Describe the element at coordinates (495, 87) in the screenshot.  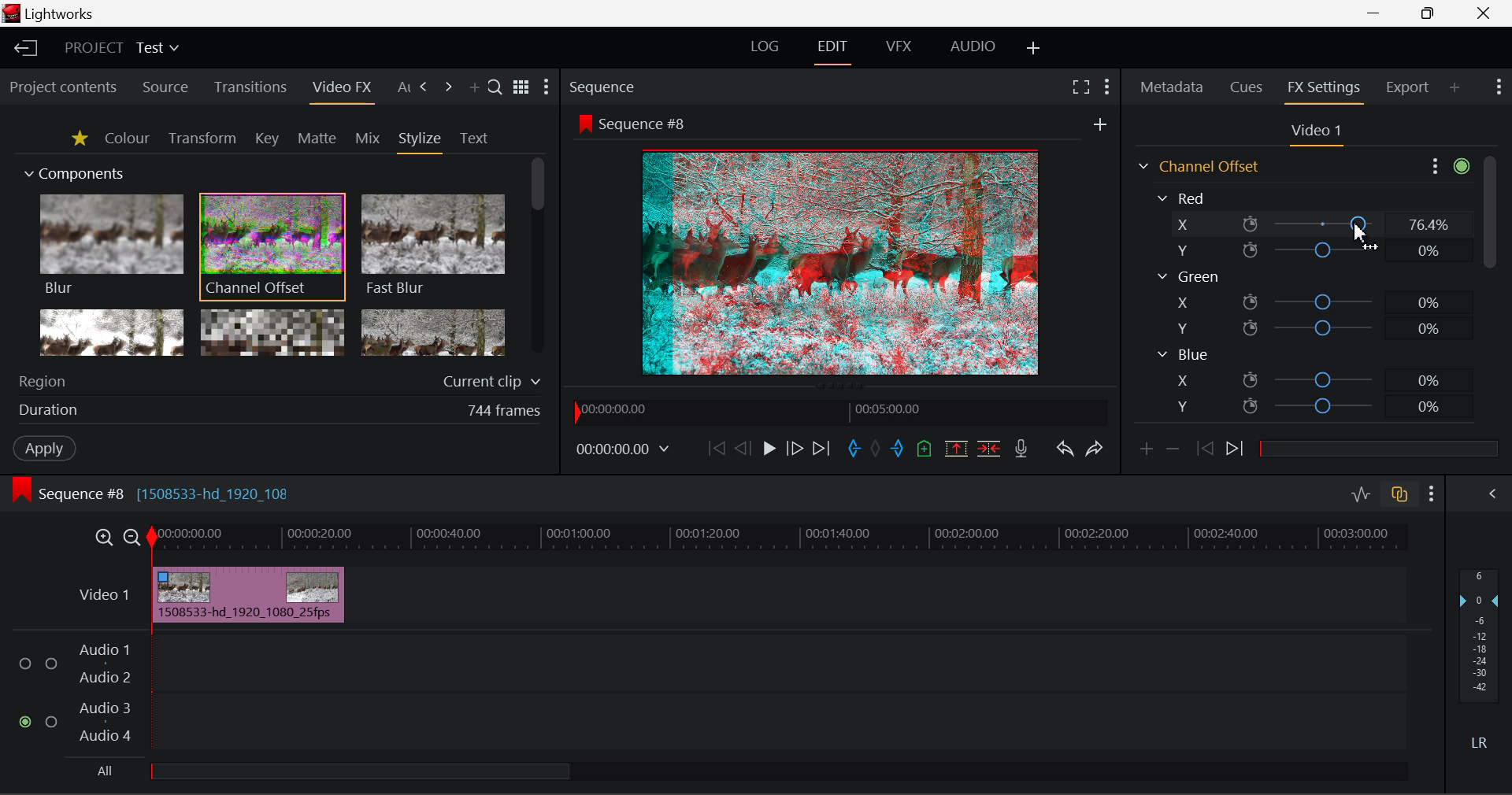
I see `Search` at that location.